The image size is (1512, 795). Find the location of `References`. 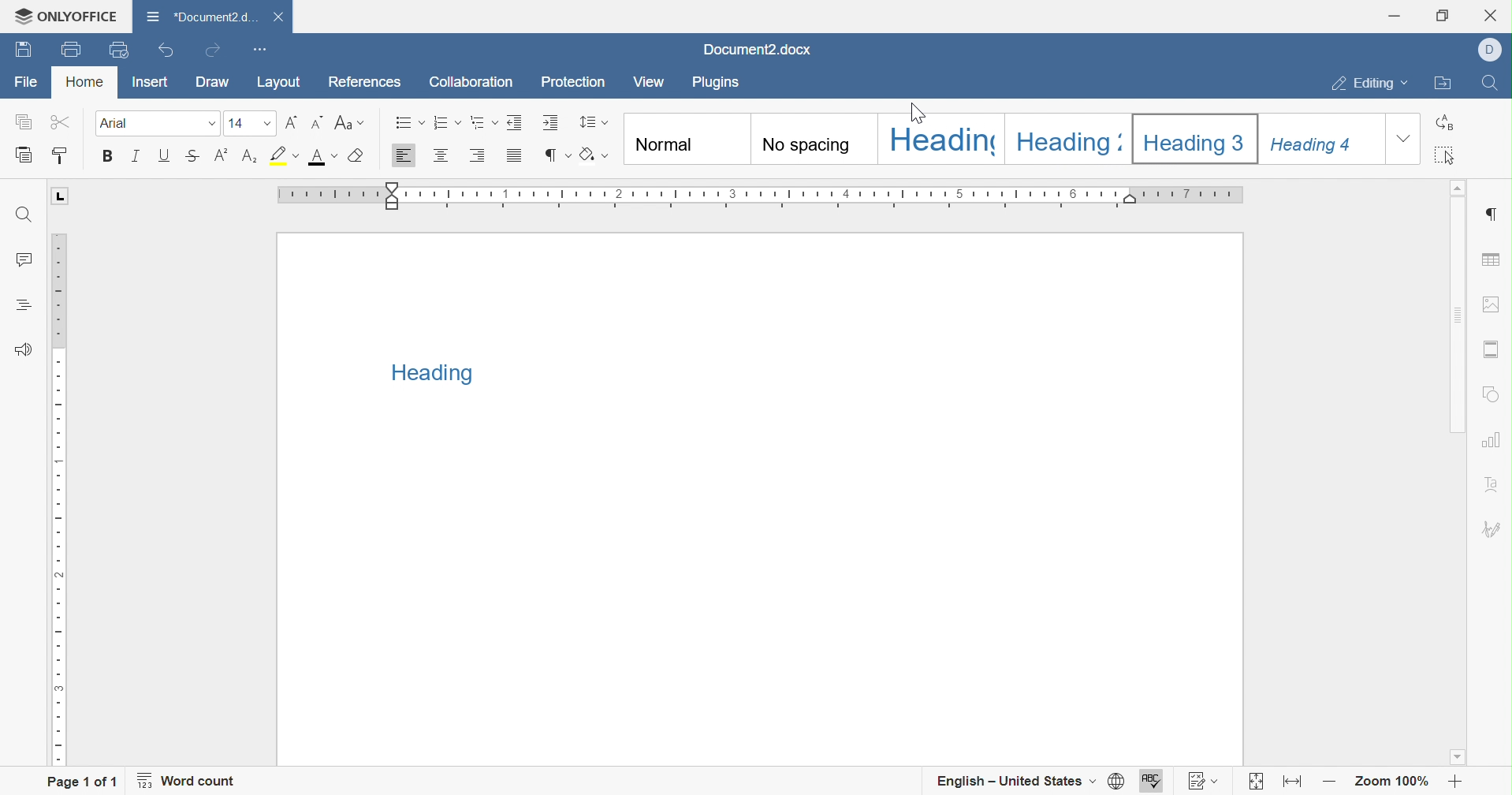

References is located at coordinates (367, 80).